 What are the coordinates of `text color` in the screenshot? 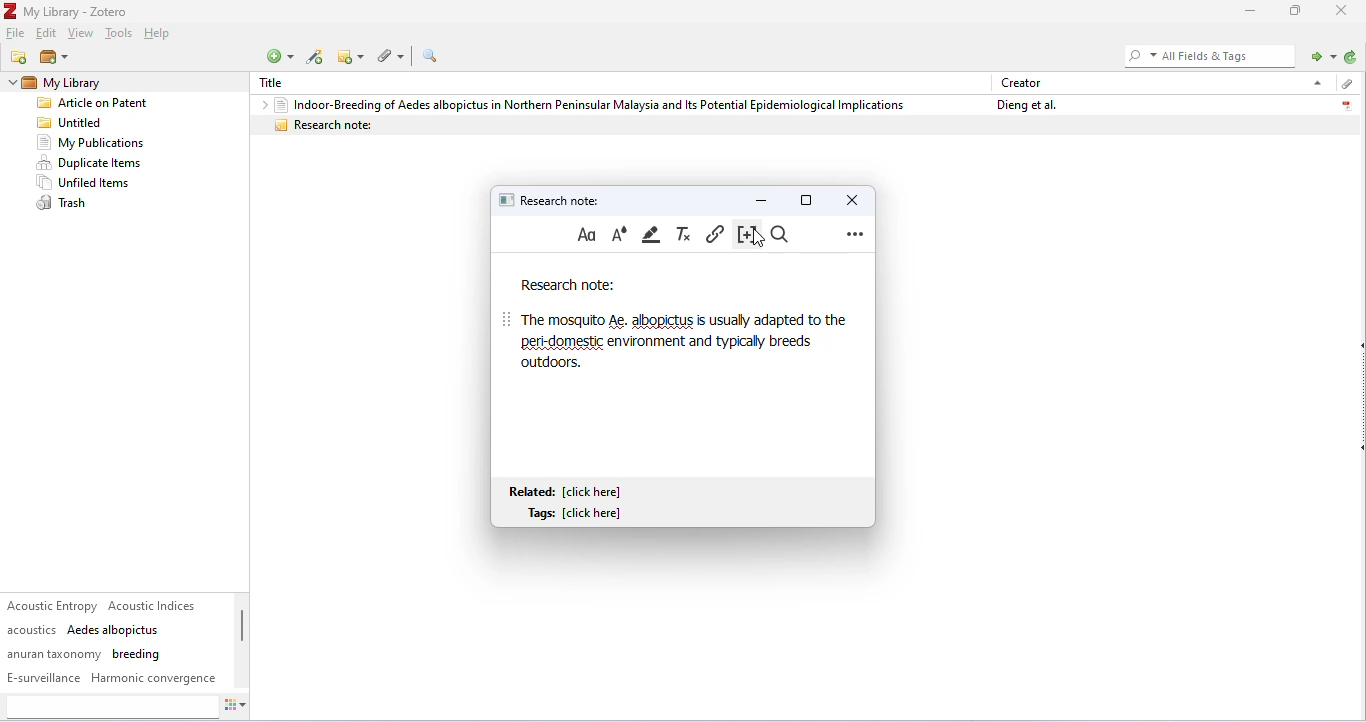 It's located at (619, 234).